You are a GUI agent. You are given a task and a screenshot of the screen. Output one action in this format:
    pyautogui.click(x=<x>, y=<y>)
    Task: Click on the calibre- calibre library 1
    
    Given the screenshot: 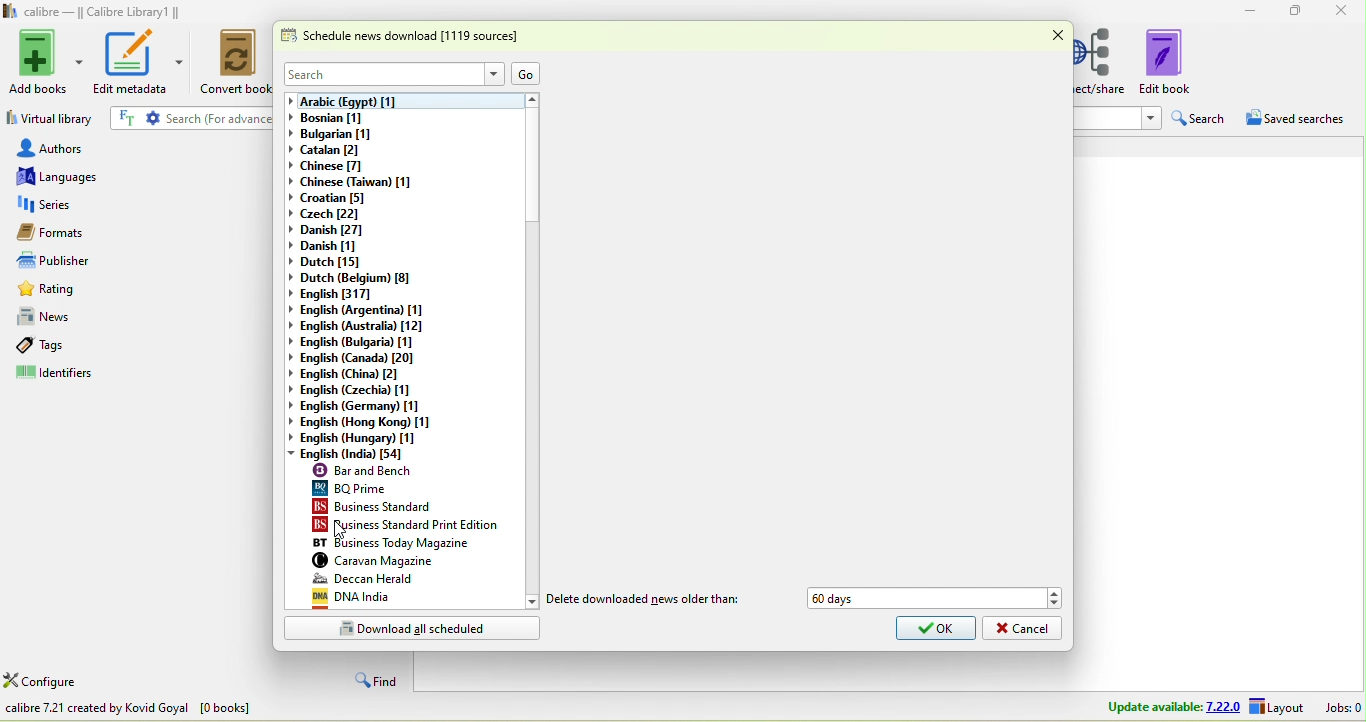 What is the action you would take?
    pyautogui.click(x=103, y=13)
    